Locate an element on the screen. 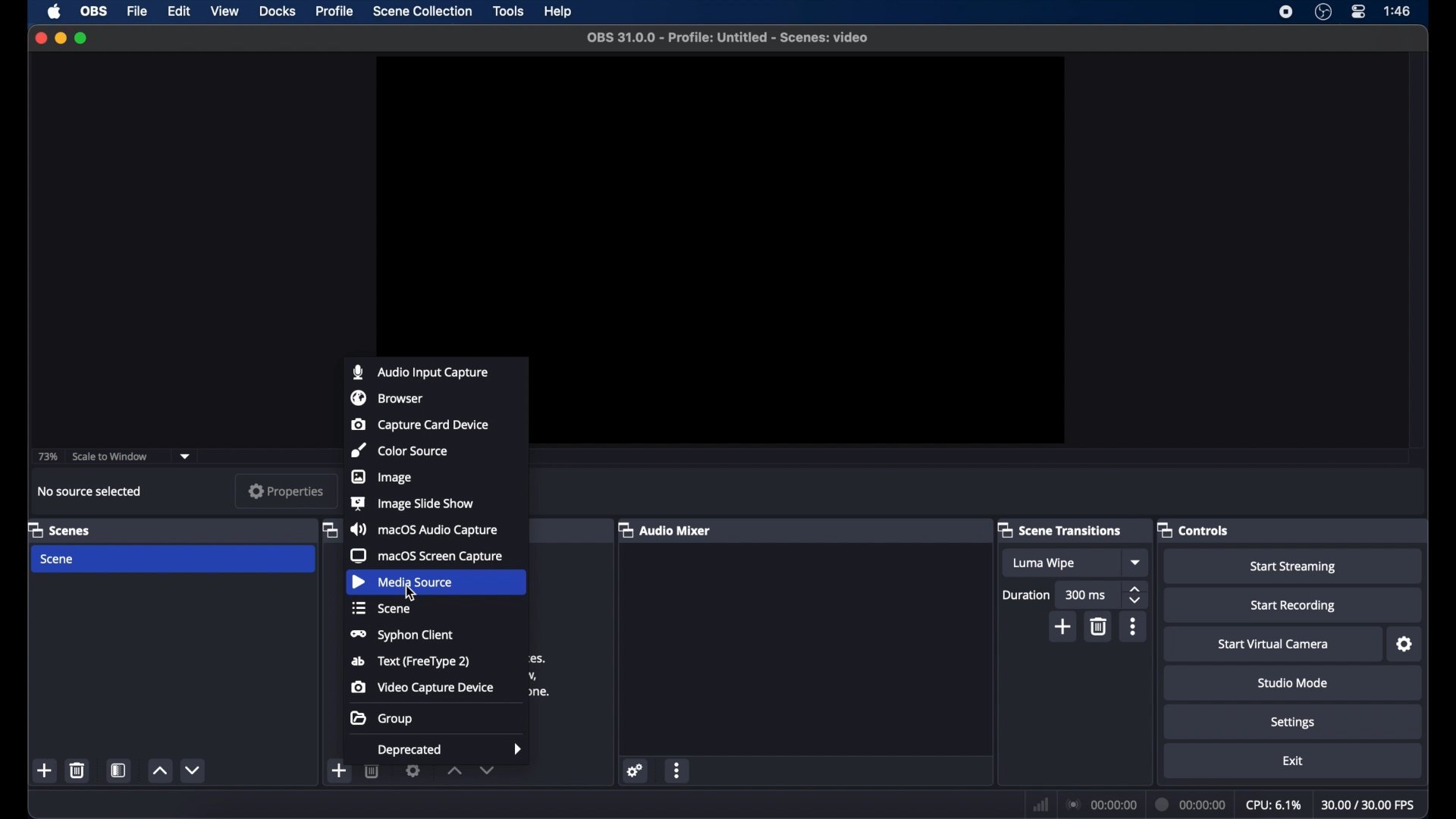 This screenshot has width=1456, height=819. audio input capture is located at coordinates (422, 372).